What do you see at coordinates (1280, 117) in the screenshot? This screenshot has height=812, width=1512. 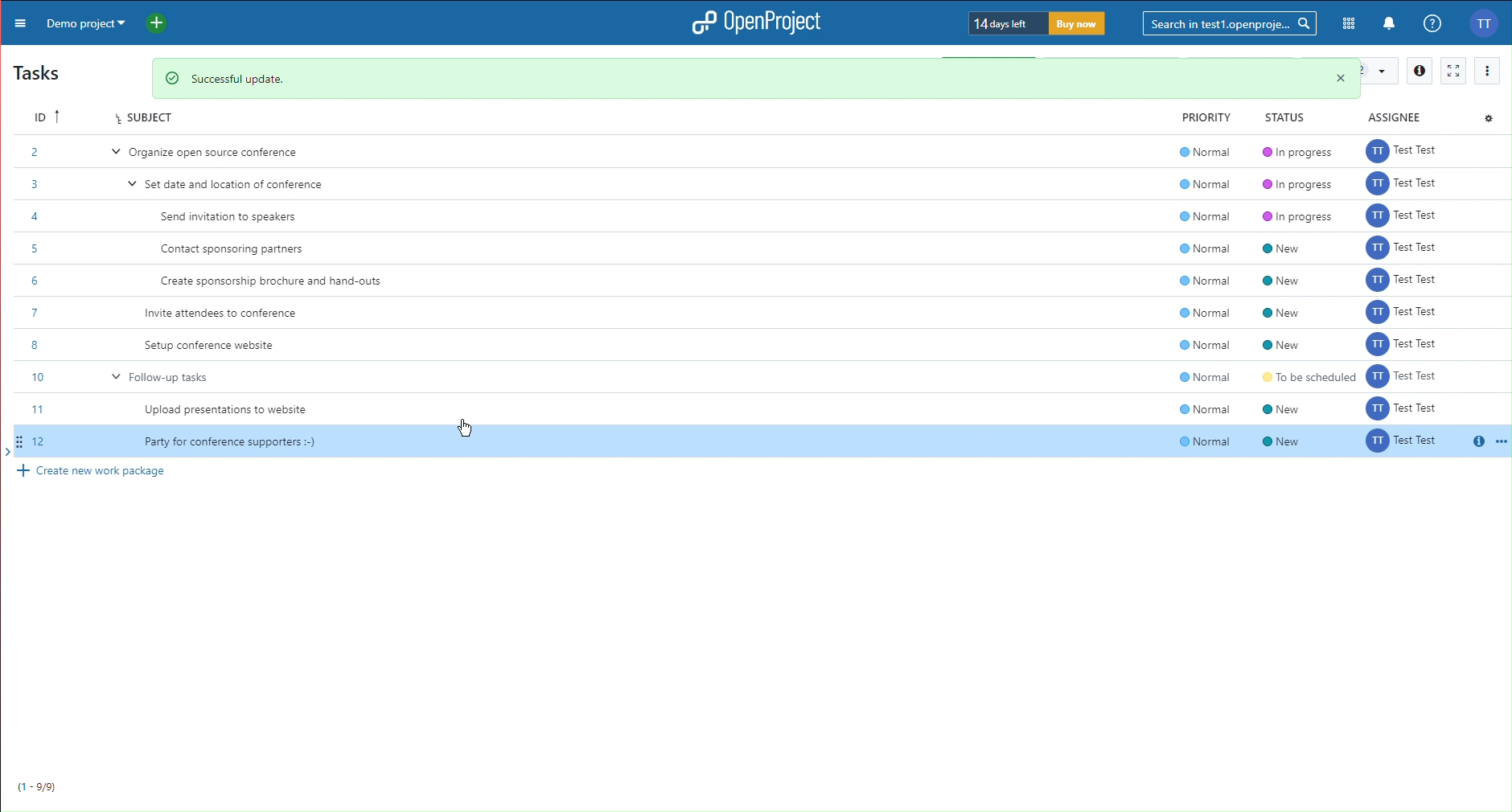 I see `Status` at bounding box center [1280, 117].